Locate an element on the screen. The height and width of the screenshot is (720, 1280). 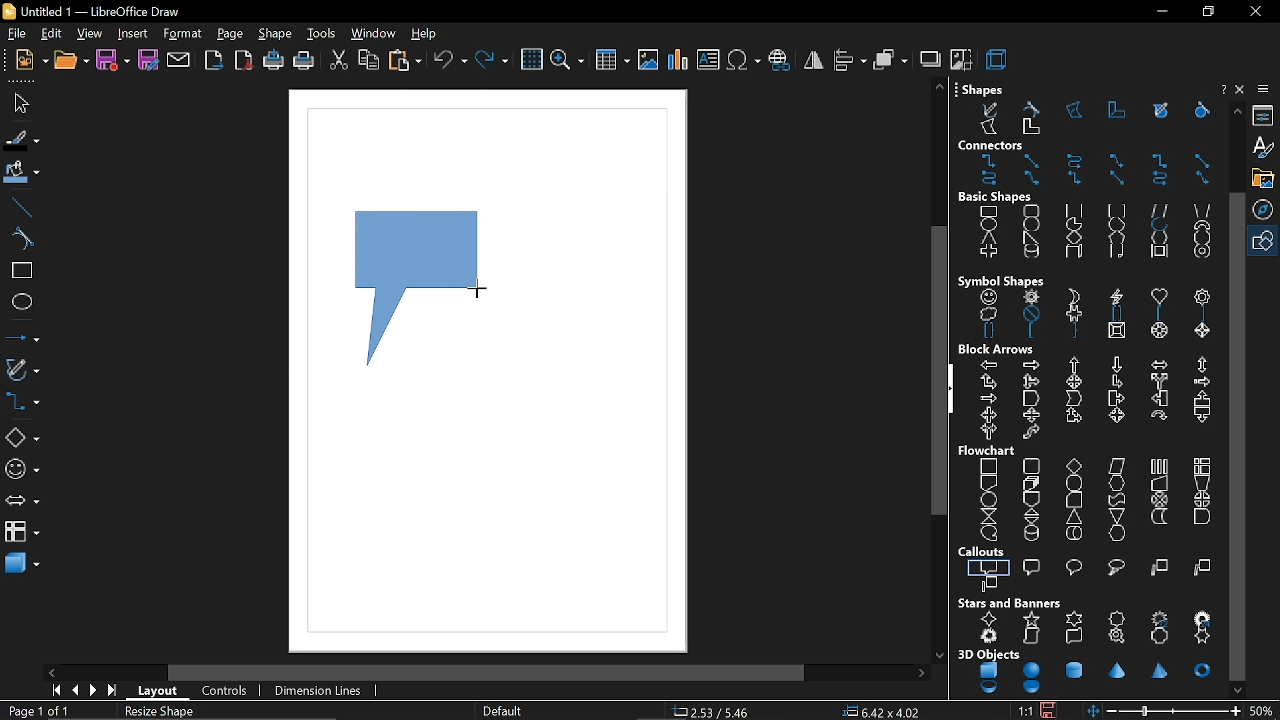
moon is located at coordinates (1071, 294).